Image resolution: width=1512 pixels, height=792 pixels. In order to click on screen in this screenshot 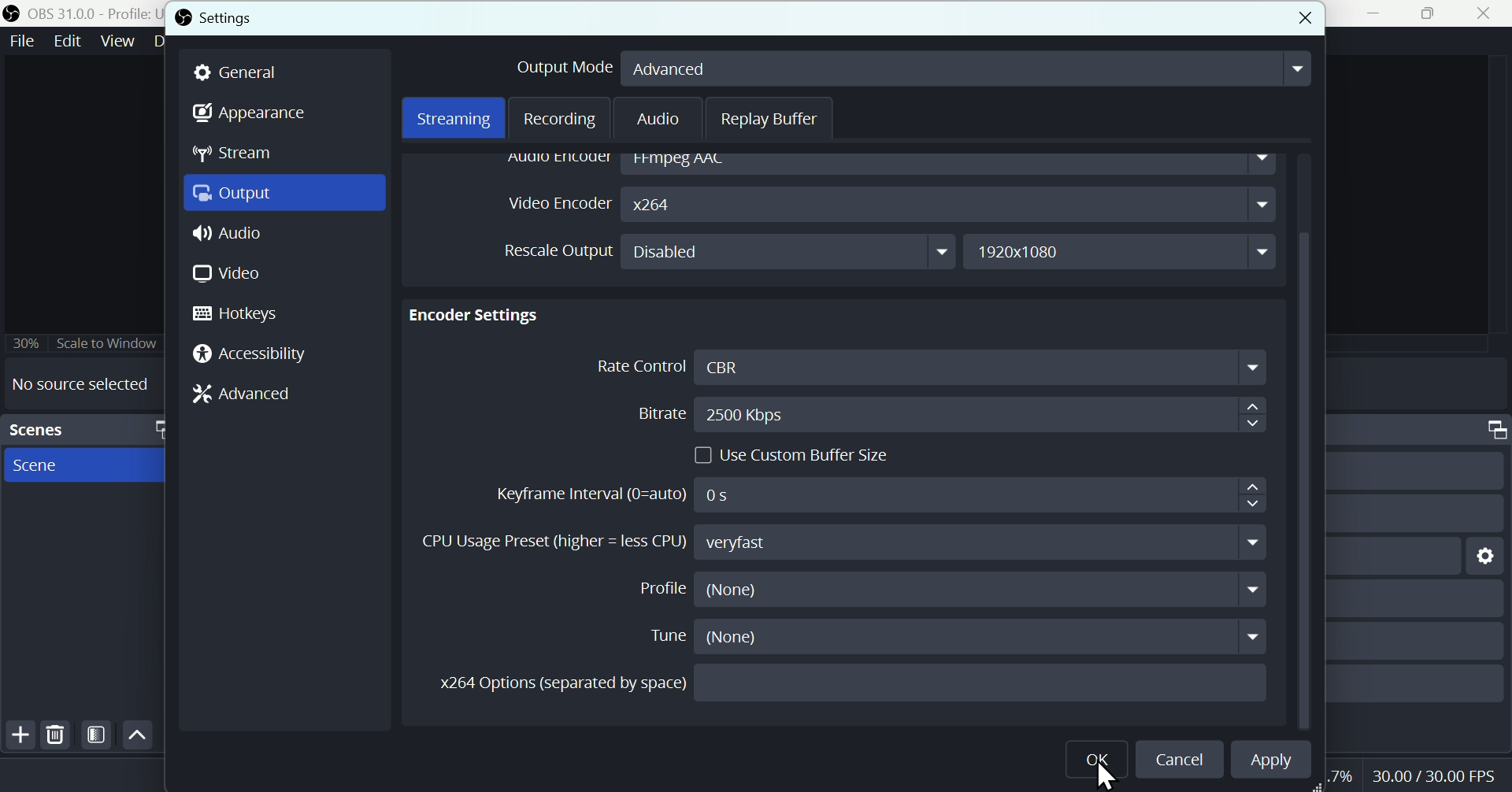, I will do `click(87, 466)`.